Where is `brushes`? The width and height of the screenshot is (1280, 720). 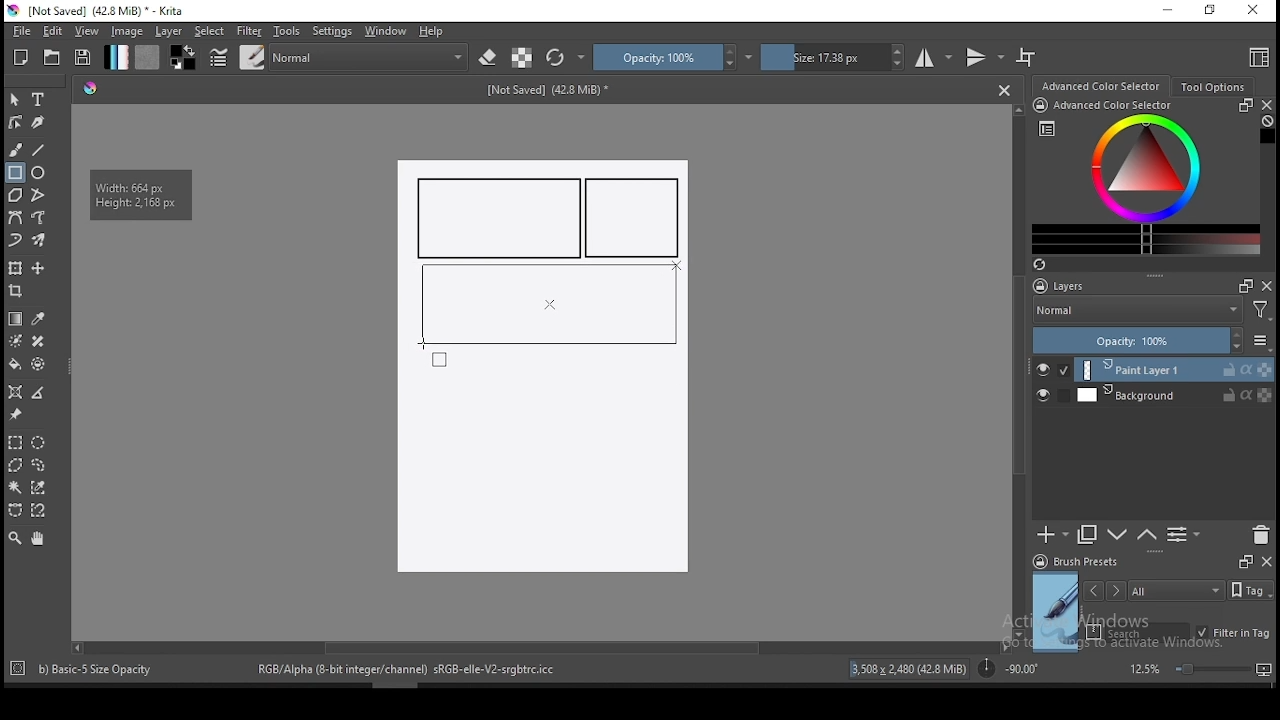
brushes is located at coordinates (252, 57).